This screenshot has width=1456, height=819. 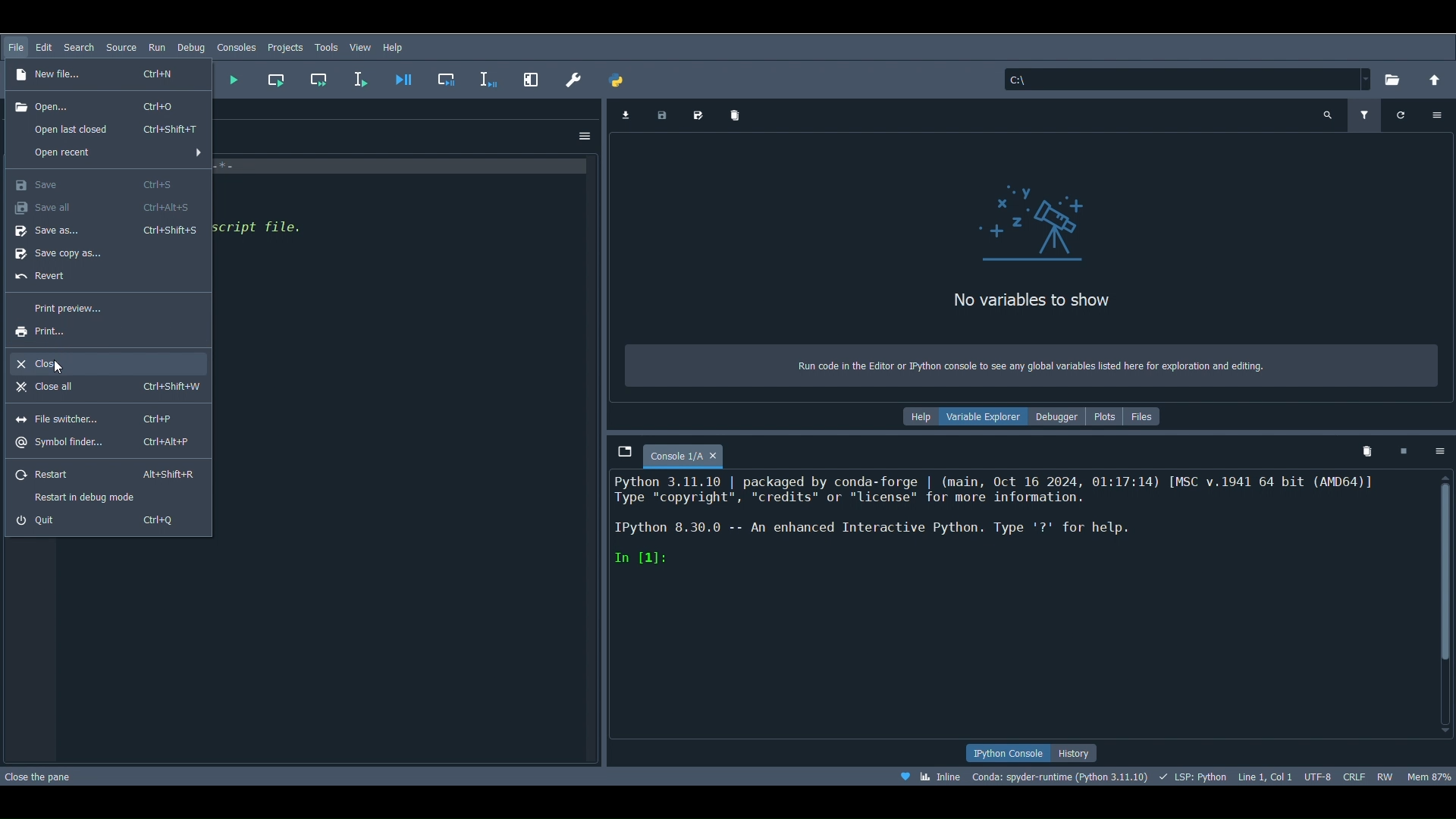 I want to click on Projects, so click(x=283, y=45).